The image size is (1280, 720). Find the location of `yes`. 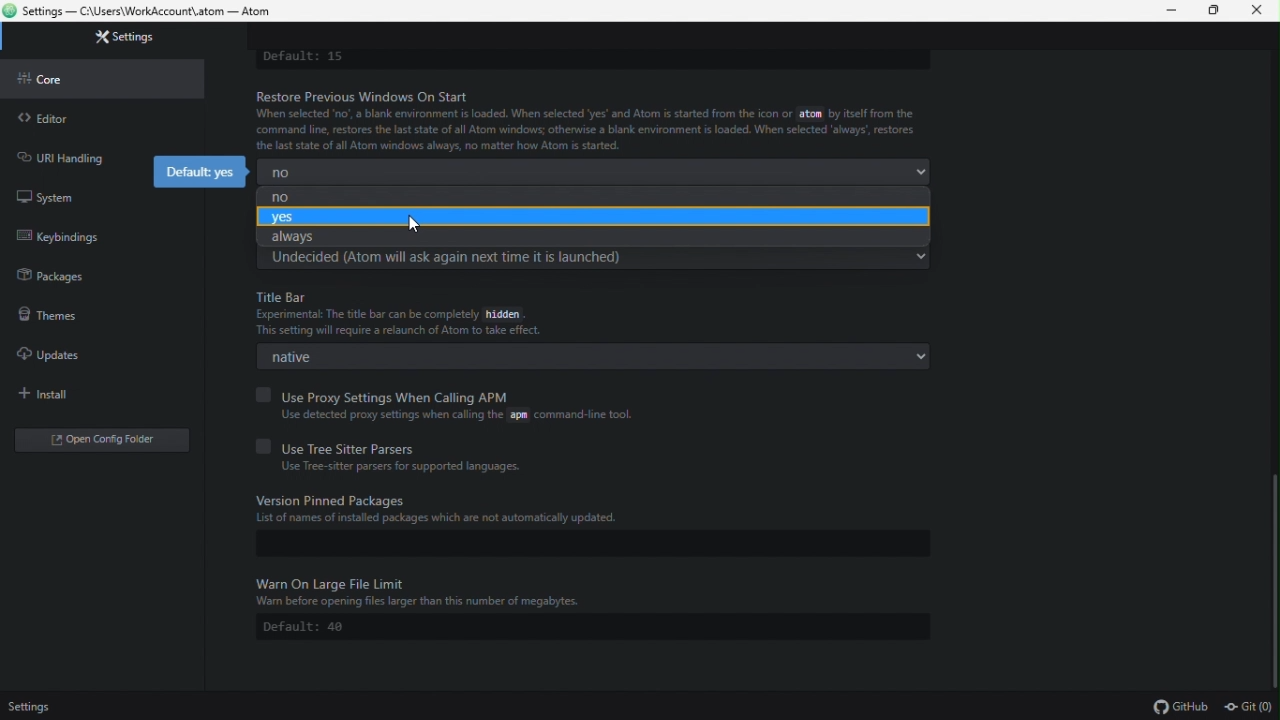

yes is located at coordinates (591, 217).